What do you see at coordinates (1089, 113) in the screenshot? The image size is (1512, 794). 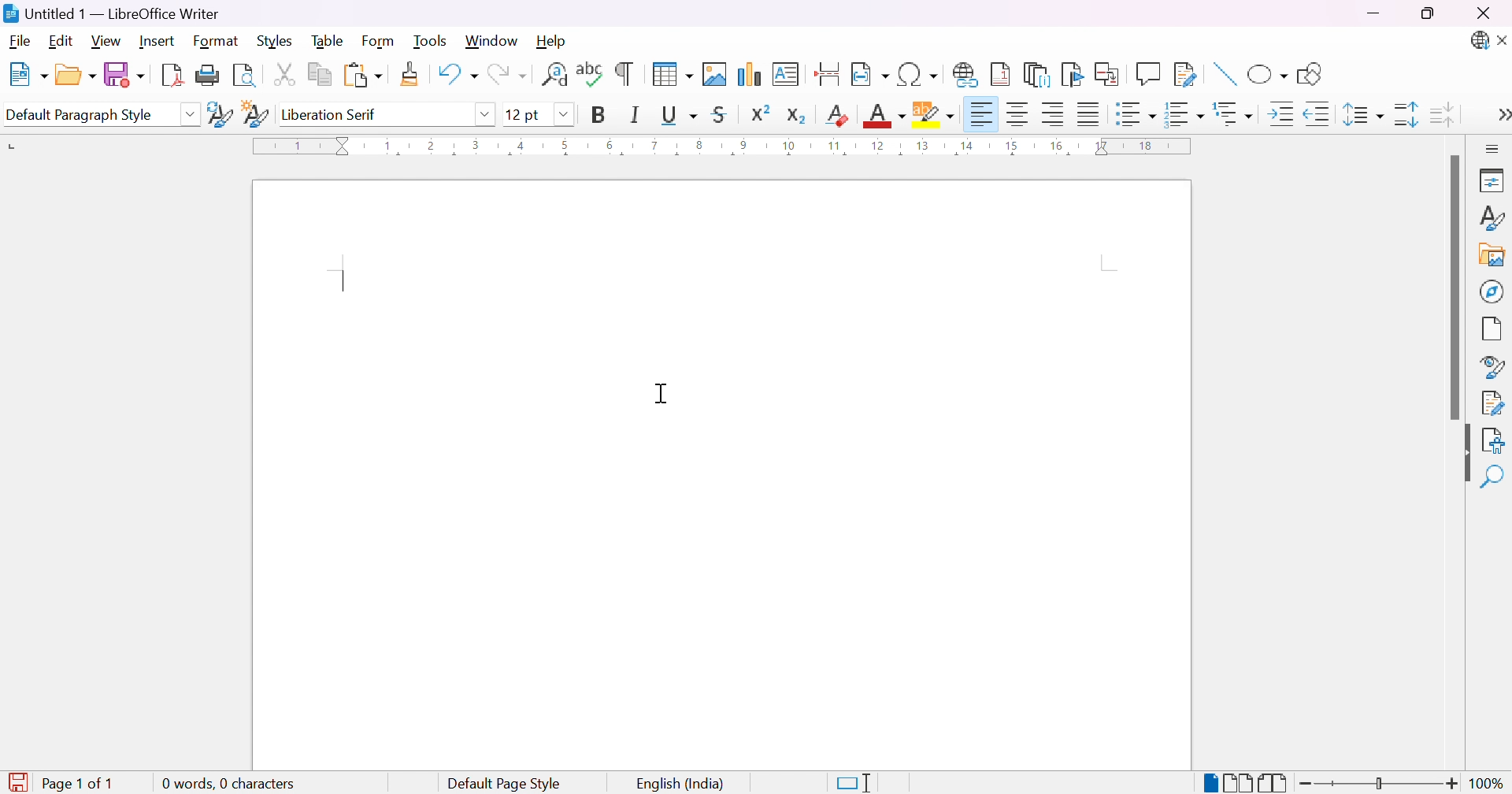 I see `Justified` at bounding box center [1089, 113].